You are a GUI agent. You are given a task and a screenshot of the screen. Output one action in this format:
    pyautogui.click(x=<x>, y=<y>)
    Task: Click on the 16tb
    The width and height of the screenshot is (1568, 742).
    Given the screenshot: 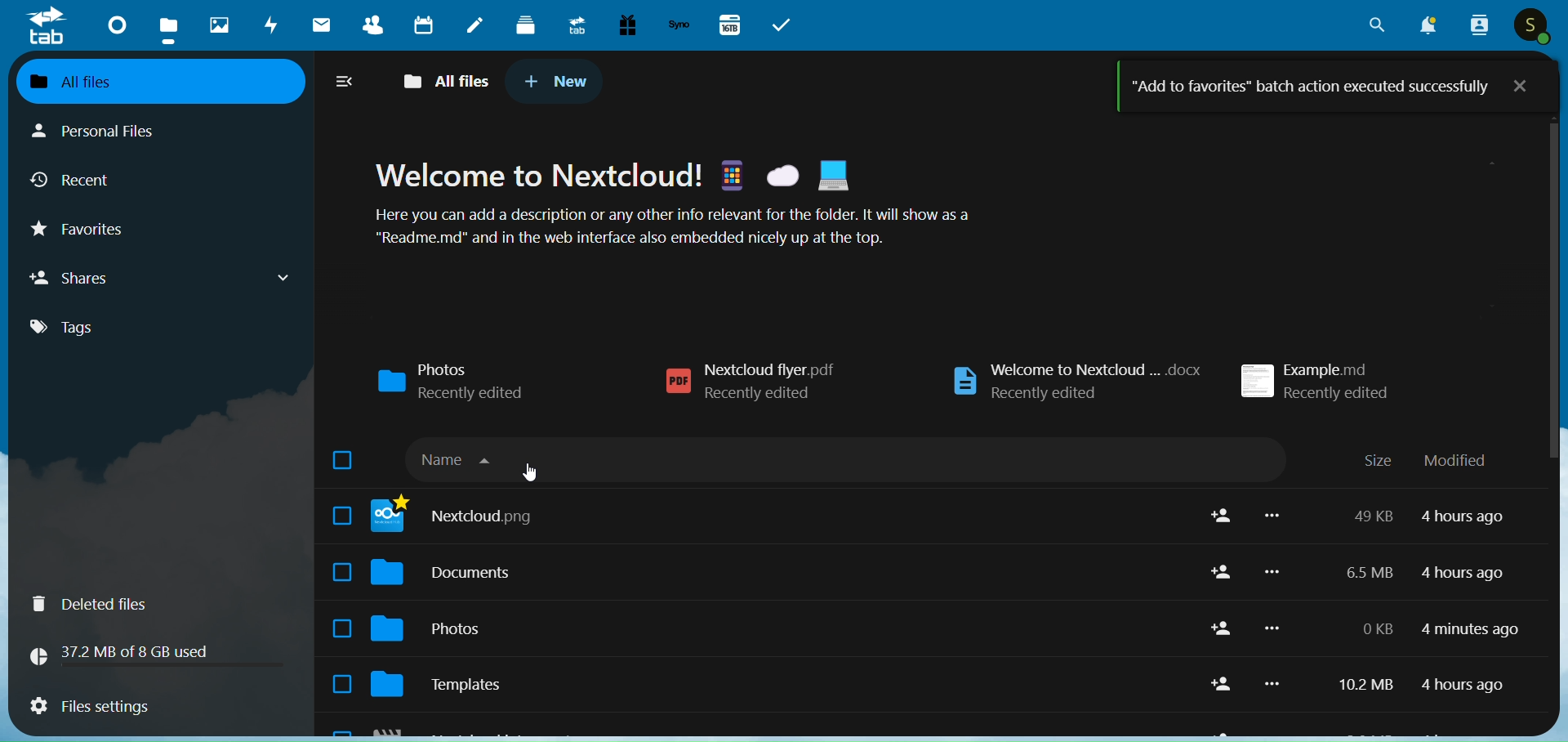 What is the action you would take?
    pyautogui.click(x=733, y=24)
    